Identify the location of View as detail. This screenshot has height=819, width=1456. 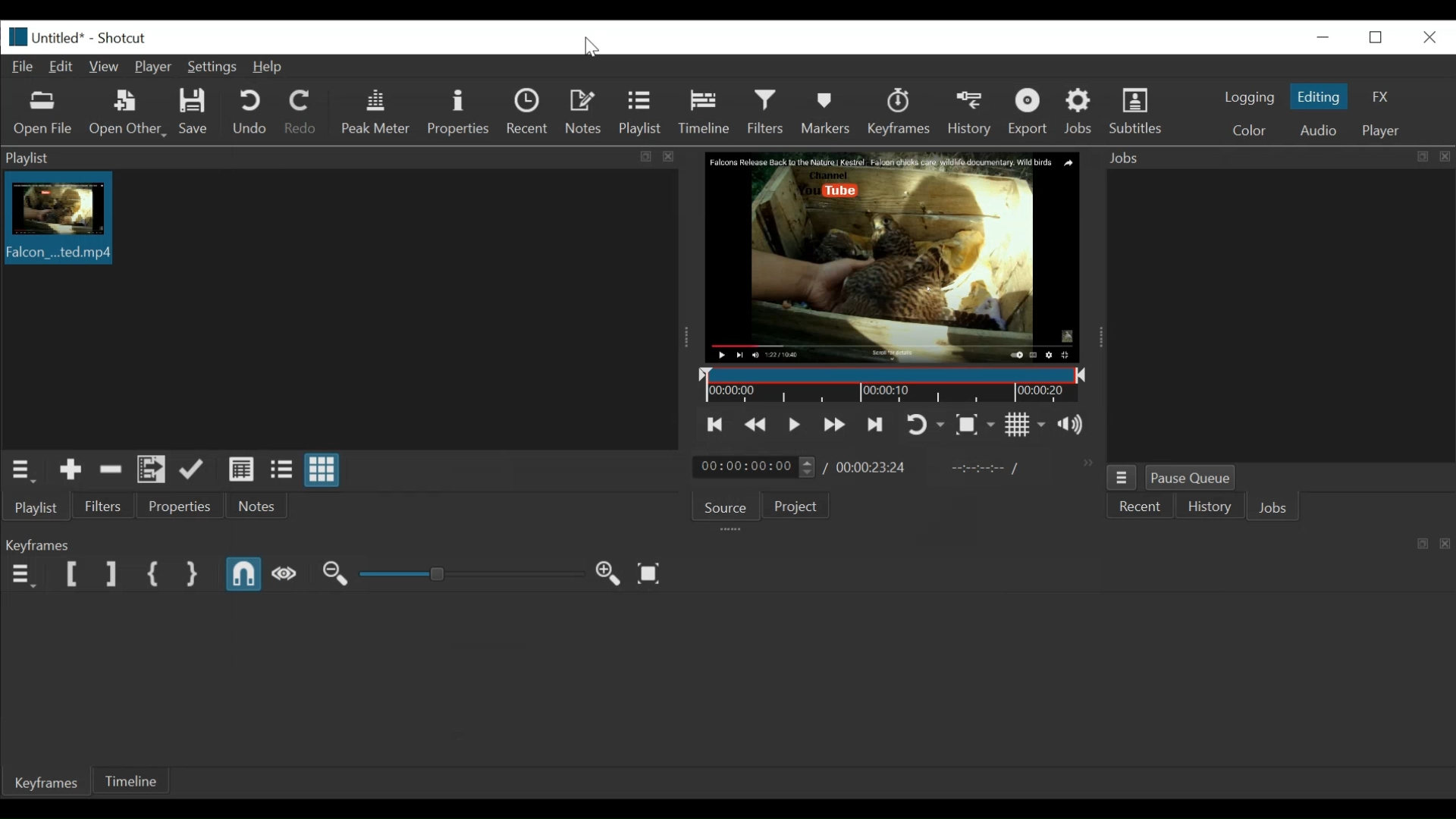
(240, 472).